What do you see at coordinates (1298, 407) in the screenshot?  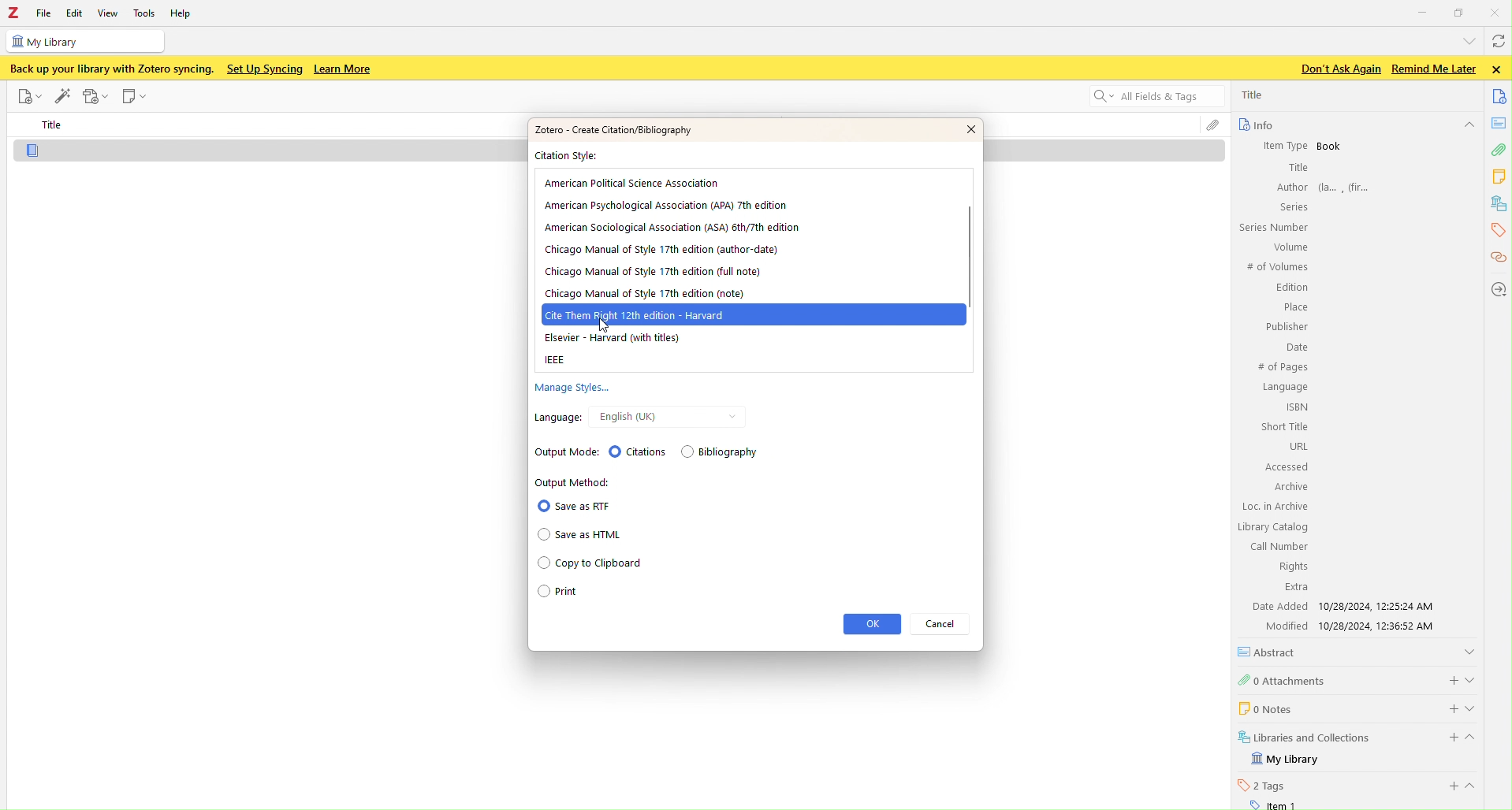 I see `ISBN` at bounding box center [1298, 407].